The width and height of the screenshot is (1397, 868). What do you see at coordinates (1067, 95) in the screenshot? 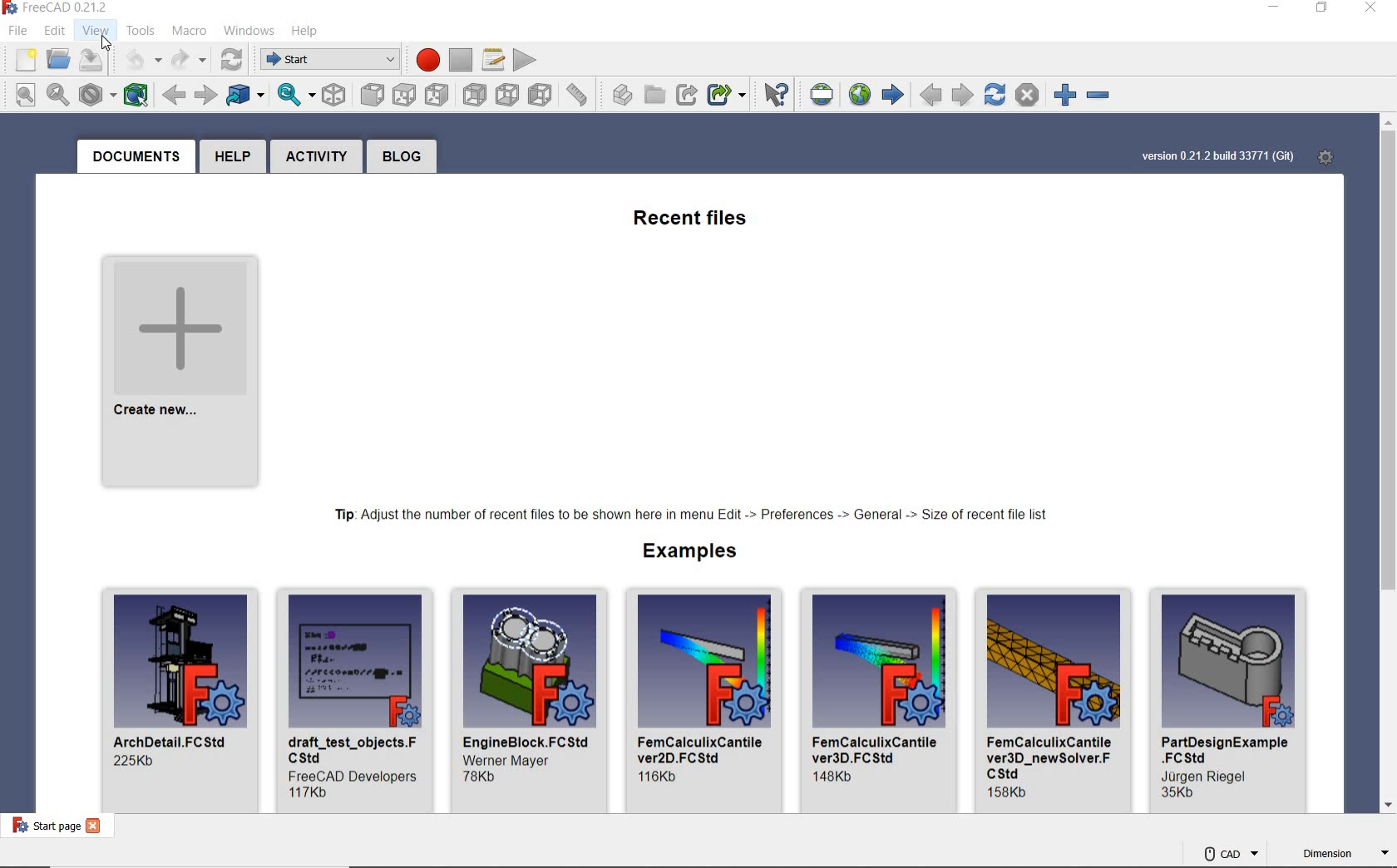
I see `zoom in` at bounding box center [1067, 95].